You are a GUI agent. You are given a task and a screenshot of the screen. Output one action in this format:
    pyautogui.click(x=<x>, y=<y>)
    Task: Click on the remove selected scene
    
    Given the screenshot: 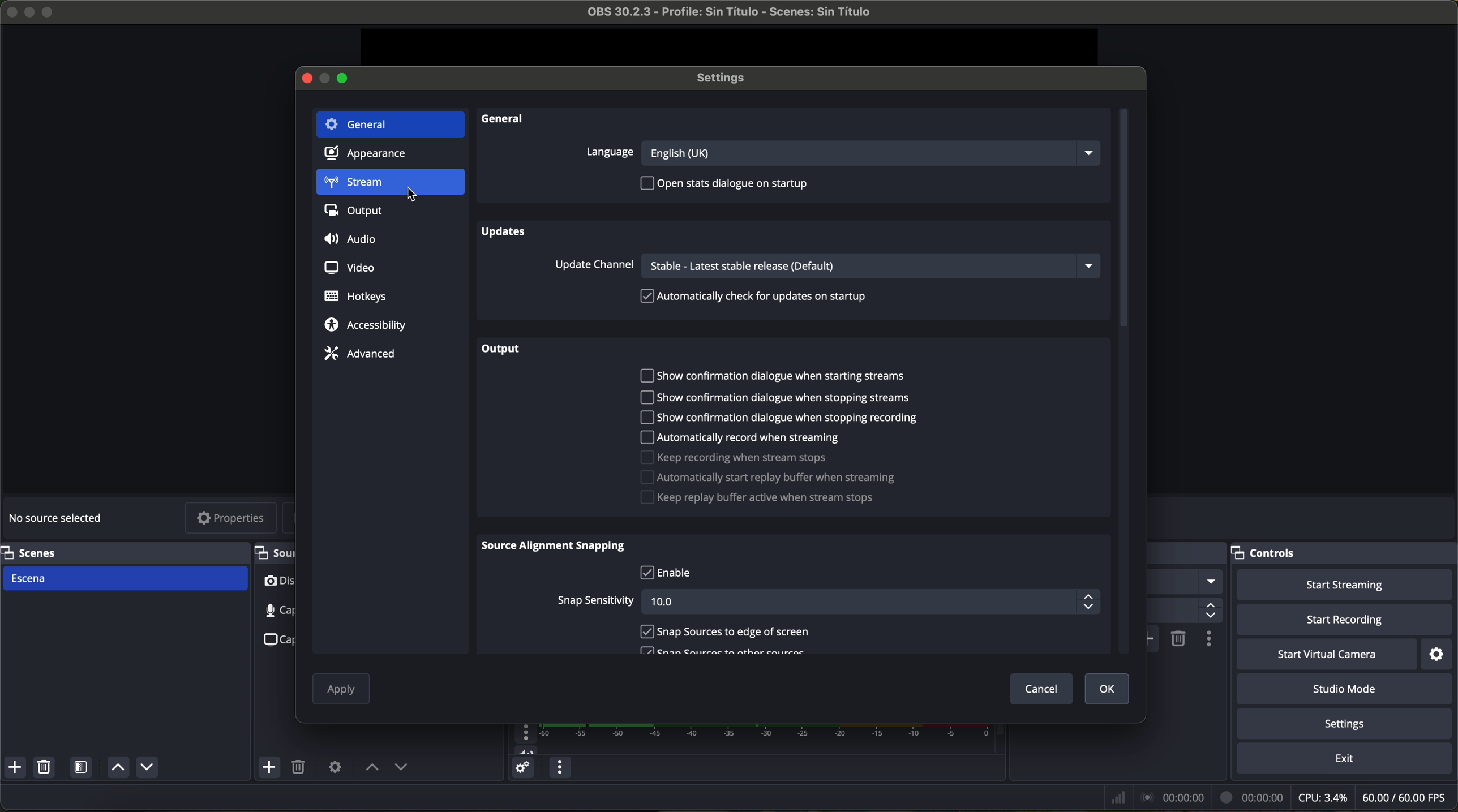 What is the action you would take?
    pyautogui.click(x=46, y=769)
    